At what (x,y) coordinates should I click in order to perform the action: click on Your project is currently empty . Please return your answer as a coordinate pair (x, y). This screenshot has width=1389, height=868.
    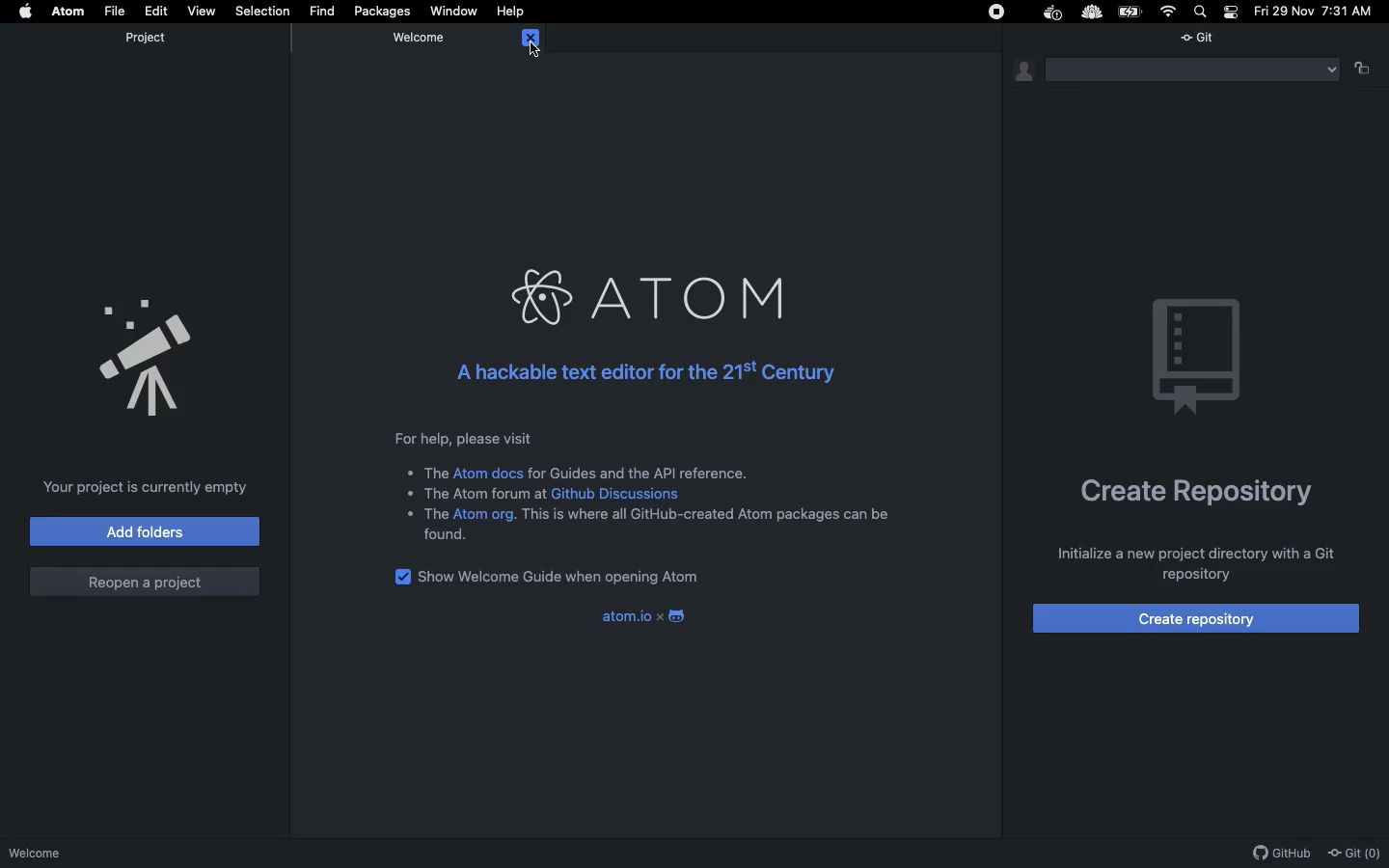
    Looking at the image, I should click on (151, 486).